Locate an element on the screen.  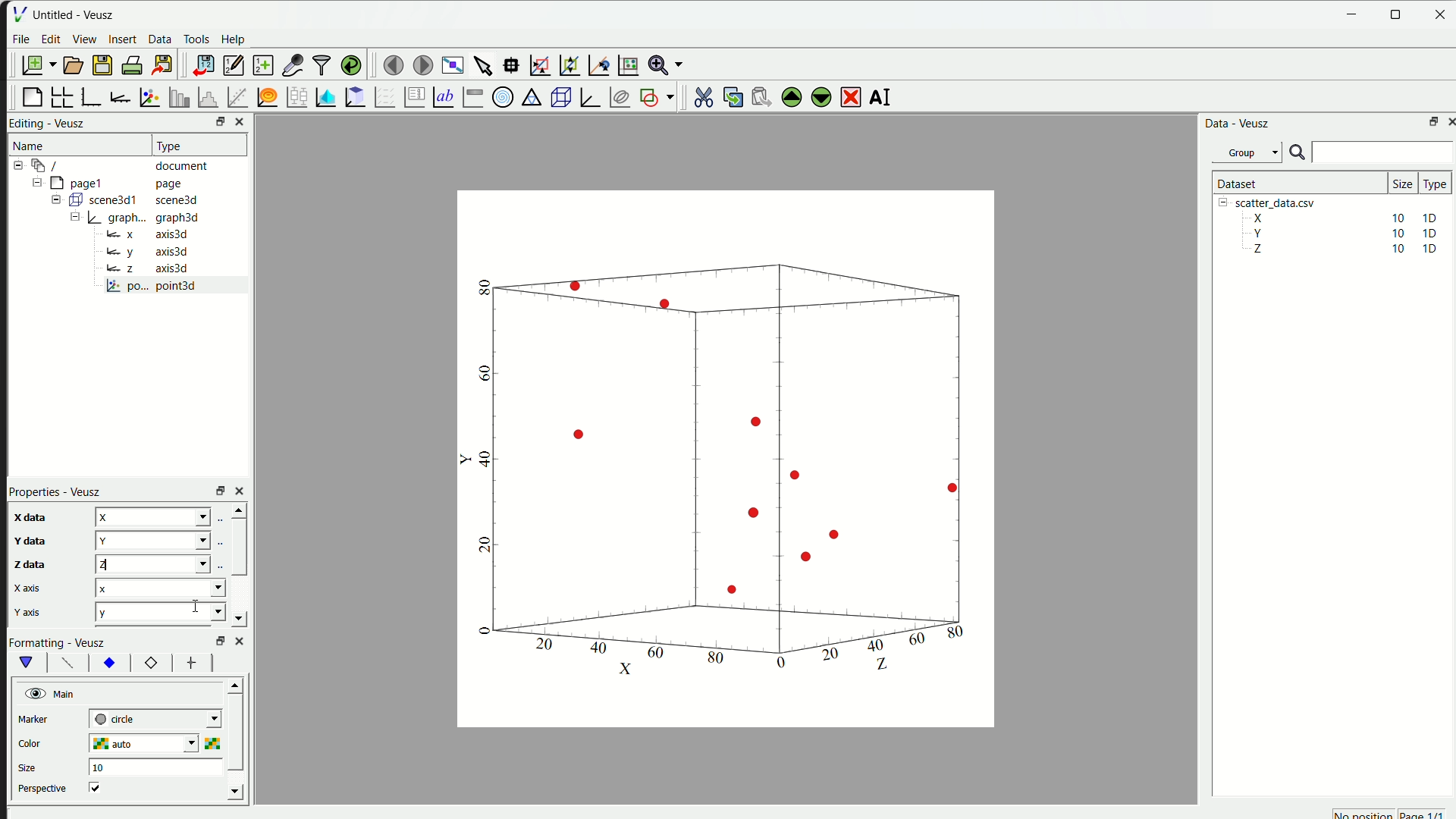
= ( scene3d1  scene3d is located at coordinates (128, 199).